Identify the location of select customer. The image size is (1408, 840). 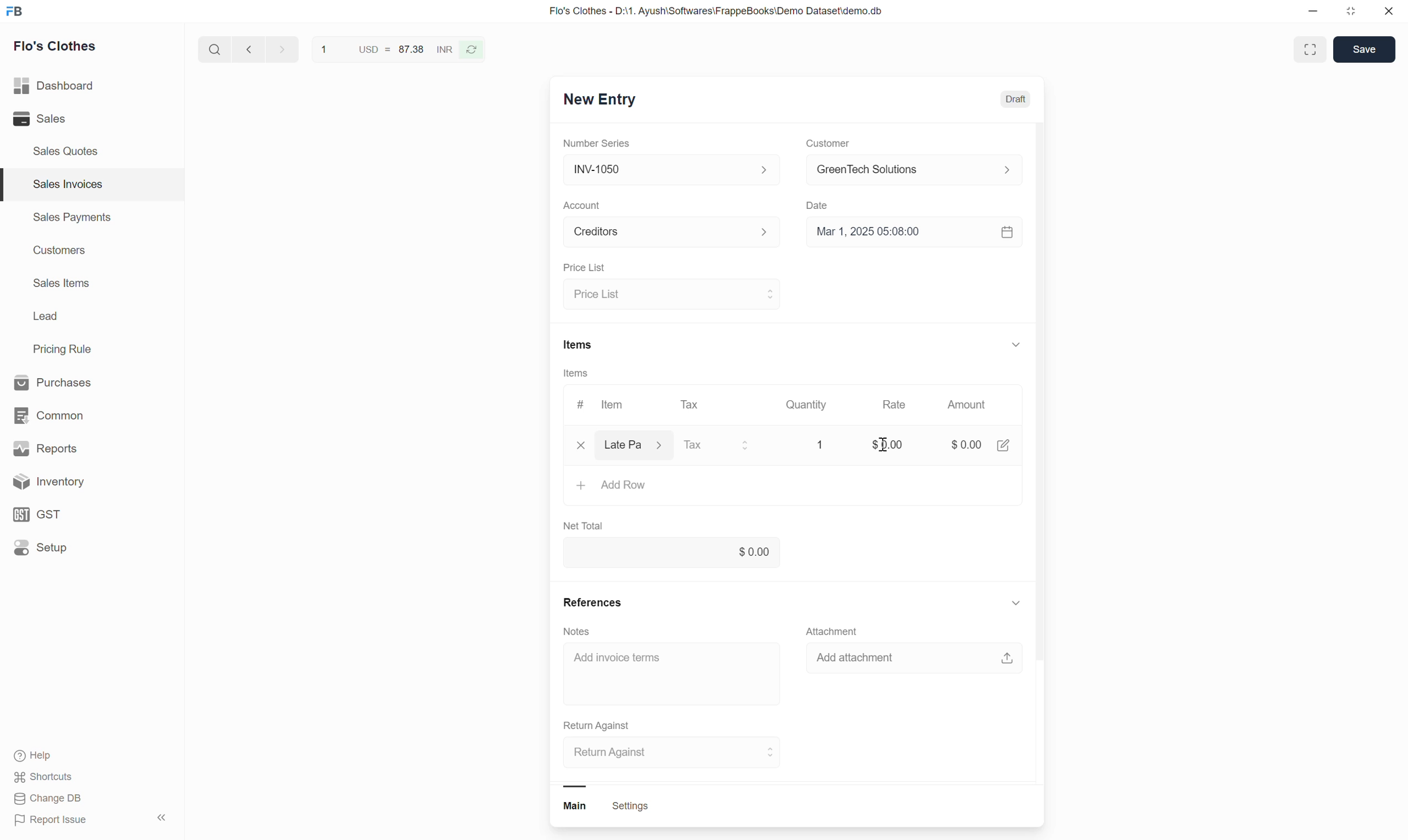
(911, 172).